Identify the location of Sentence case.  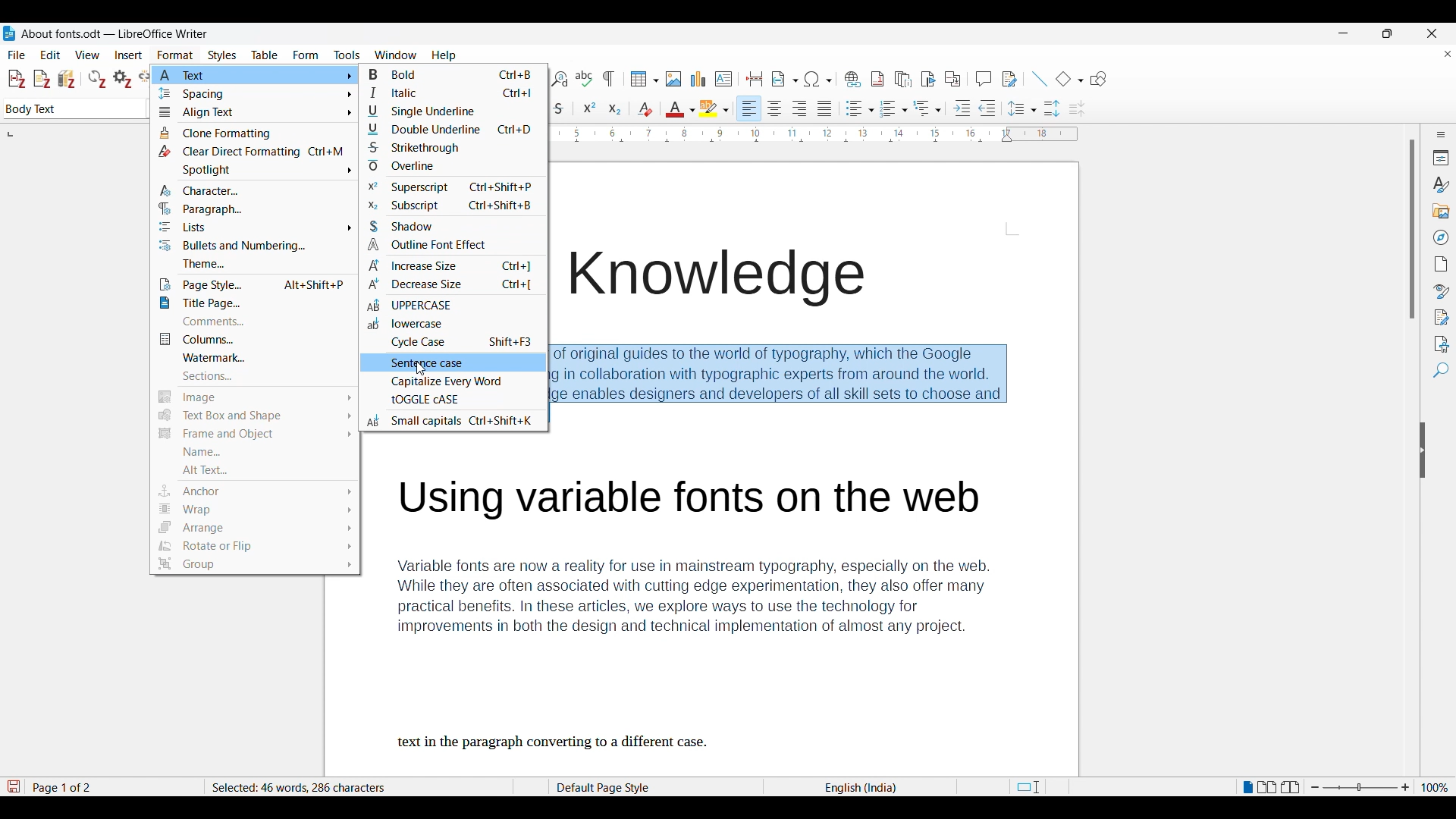
(420, 364).